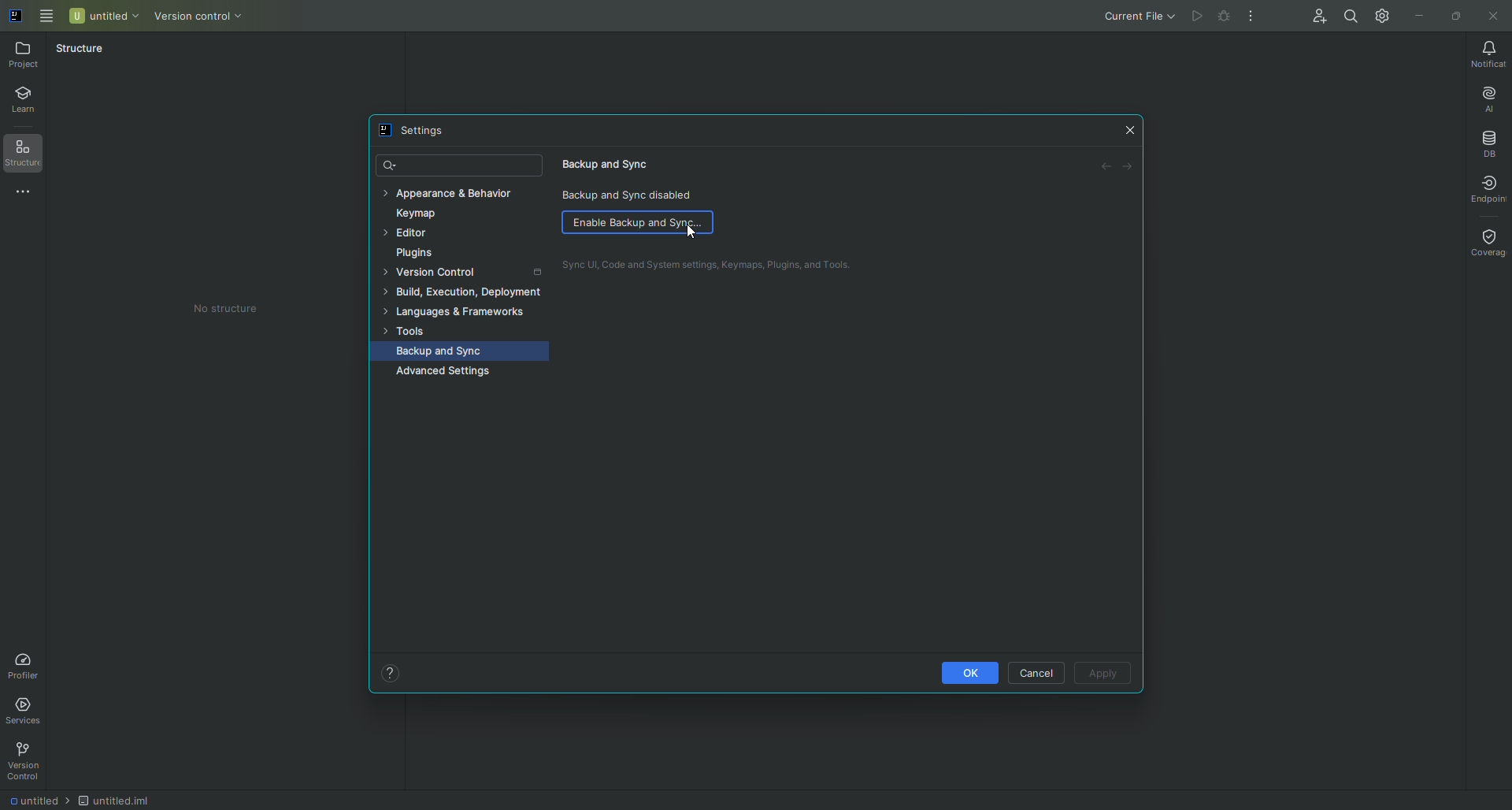  Describe the element at coordinates (1128, 169) in the screenshot. I see `Forward` at that location.